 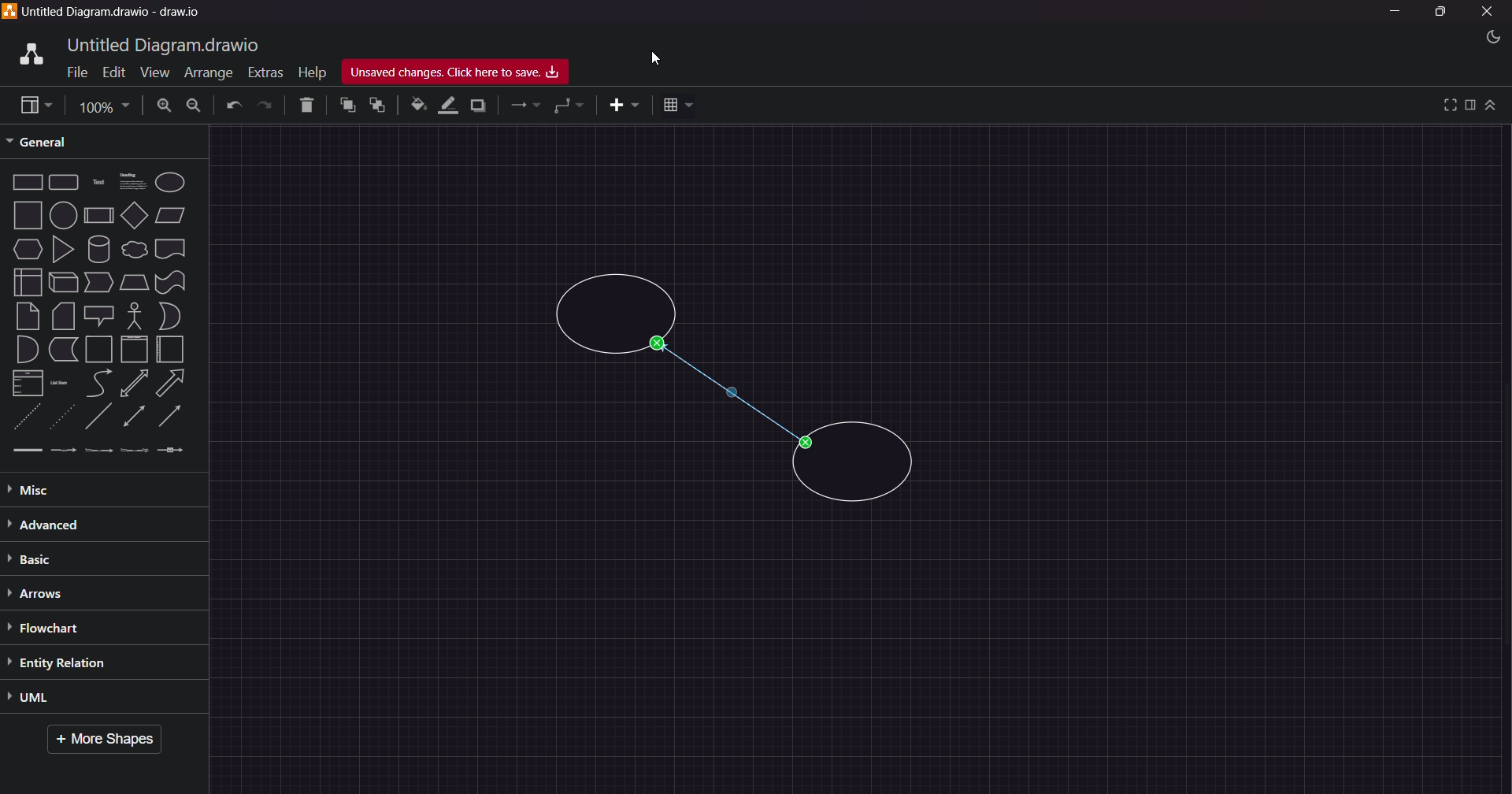 I want to click on table, so click(x=679, y=104).